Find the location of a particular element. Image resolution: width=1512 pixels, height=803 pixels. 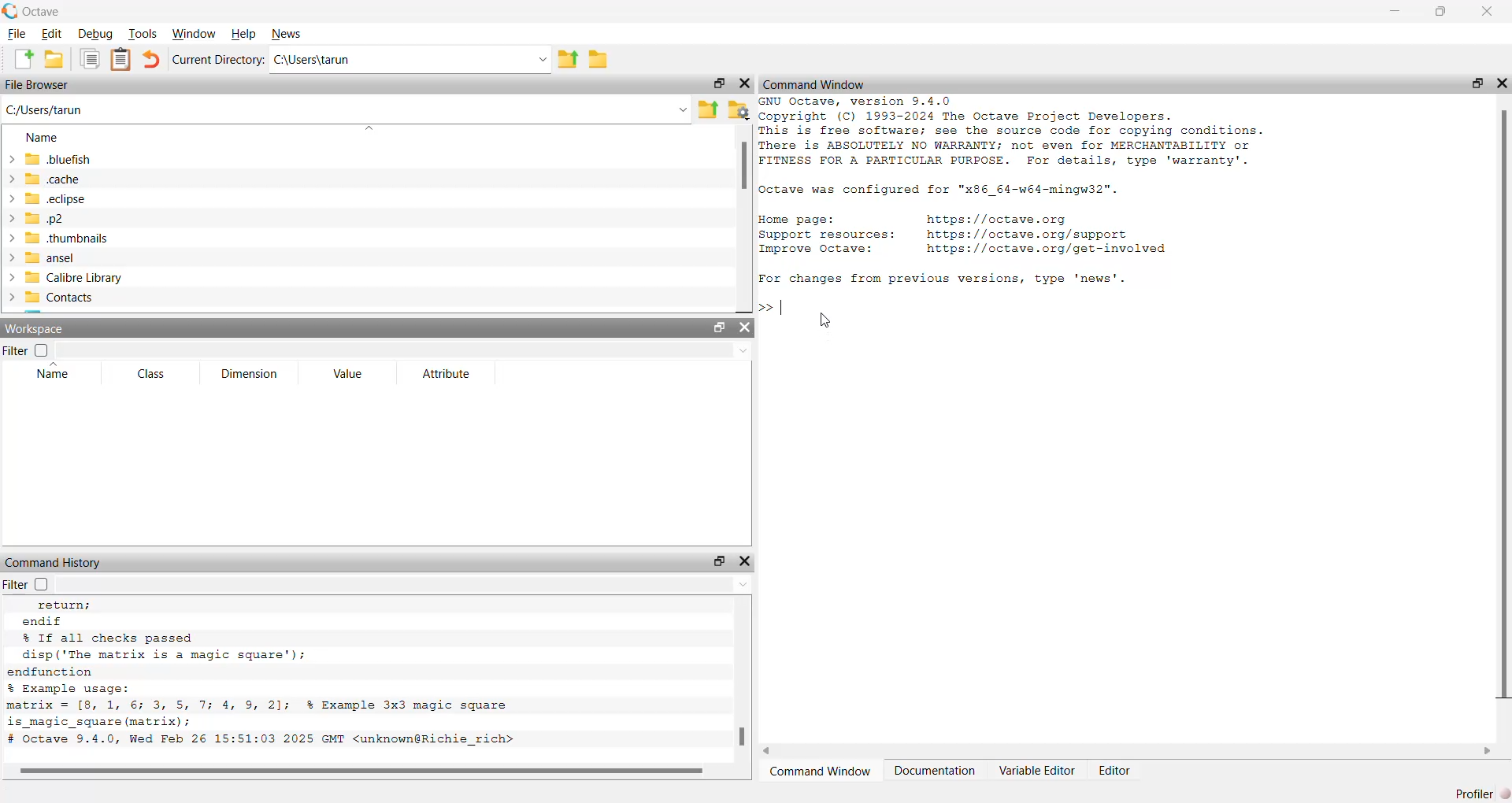

Cursor is located at coordinates (824, 322).